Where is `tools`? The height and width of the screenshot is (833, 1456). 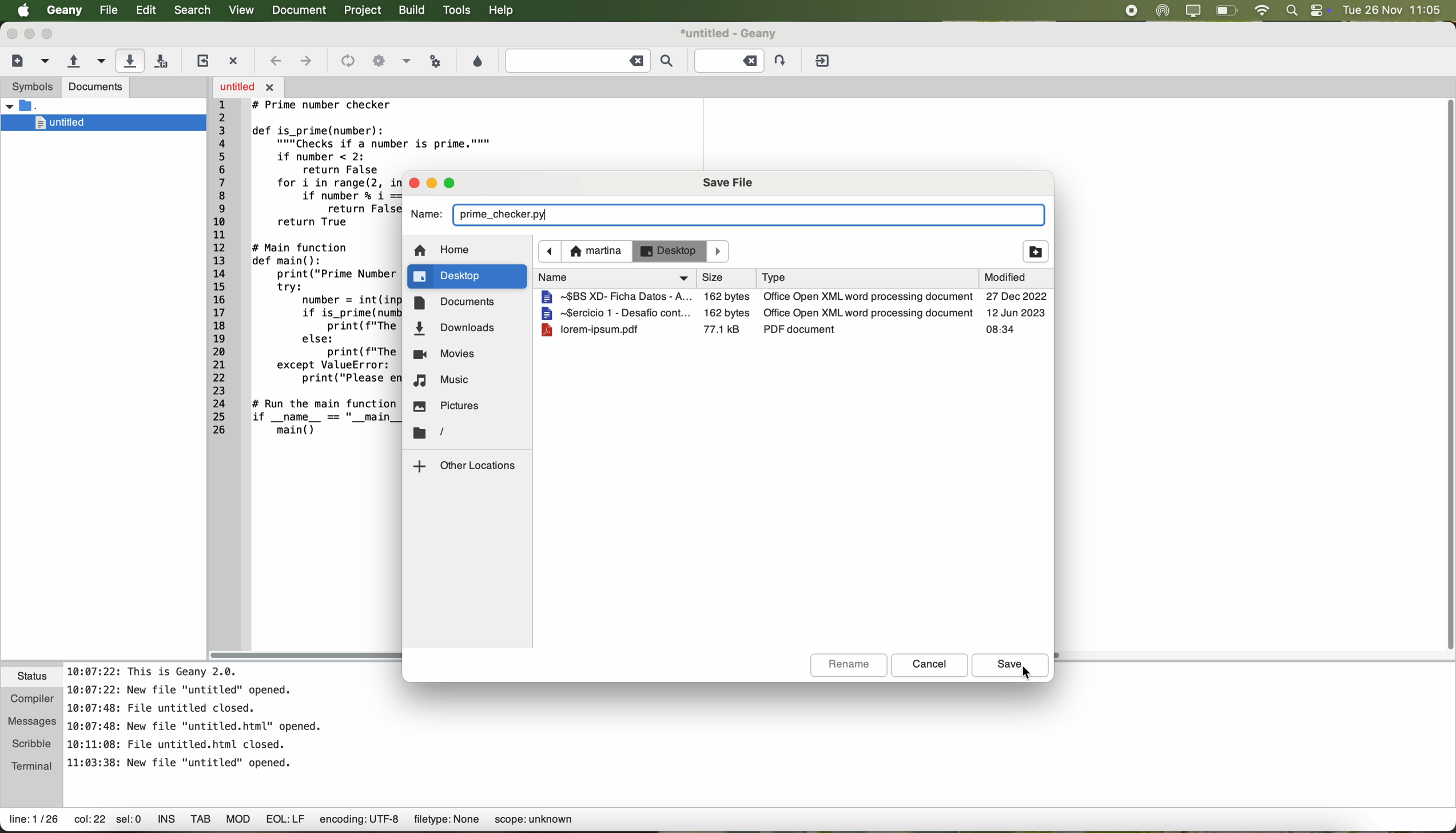
tools is located at coordinates (458, 11).